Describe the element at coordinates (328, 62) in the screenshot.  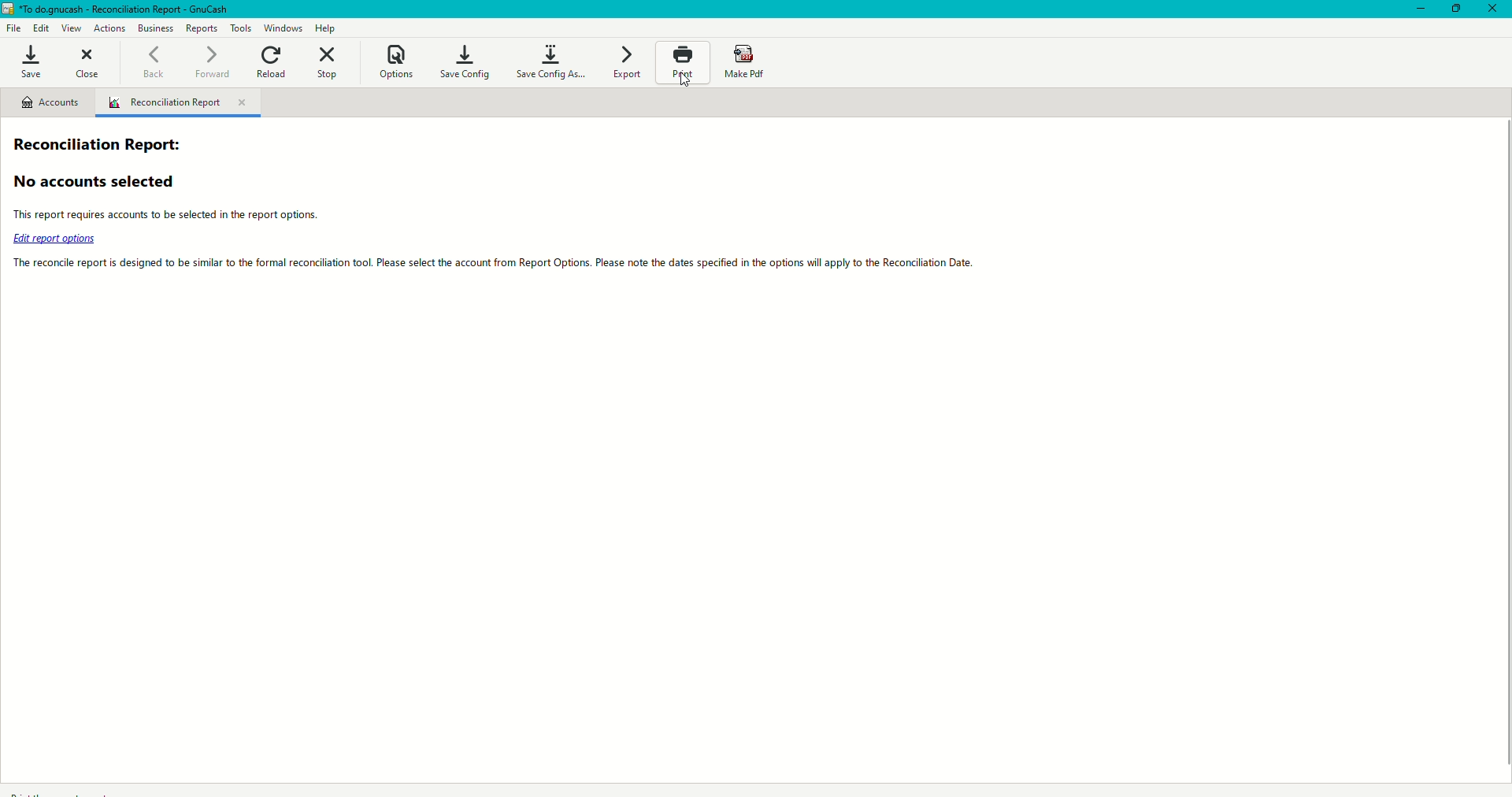
I see `Stop` at that location.